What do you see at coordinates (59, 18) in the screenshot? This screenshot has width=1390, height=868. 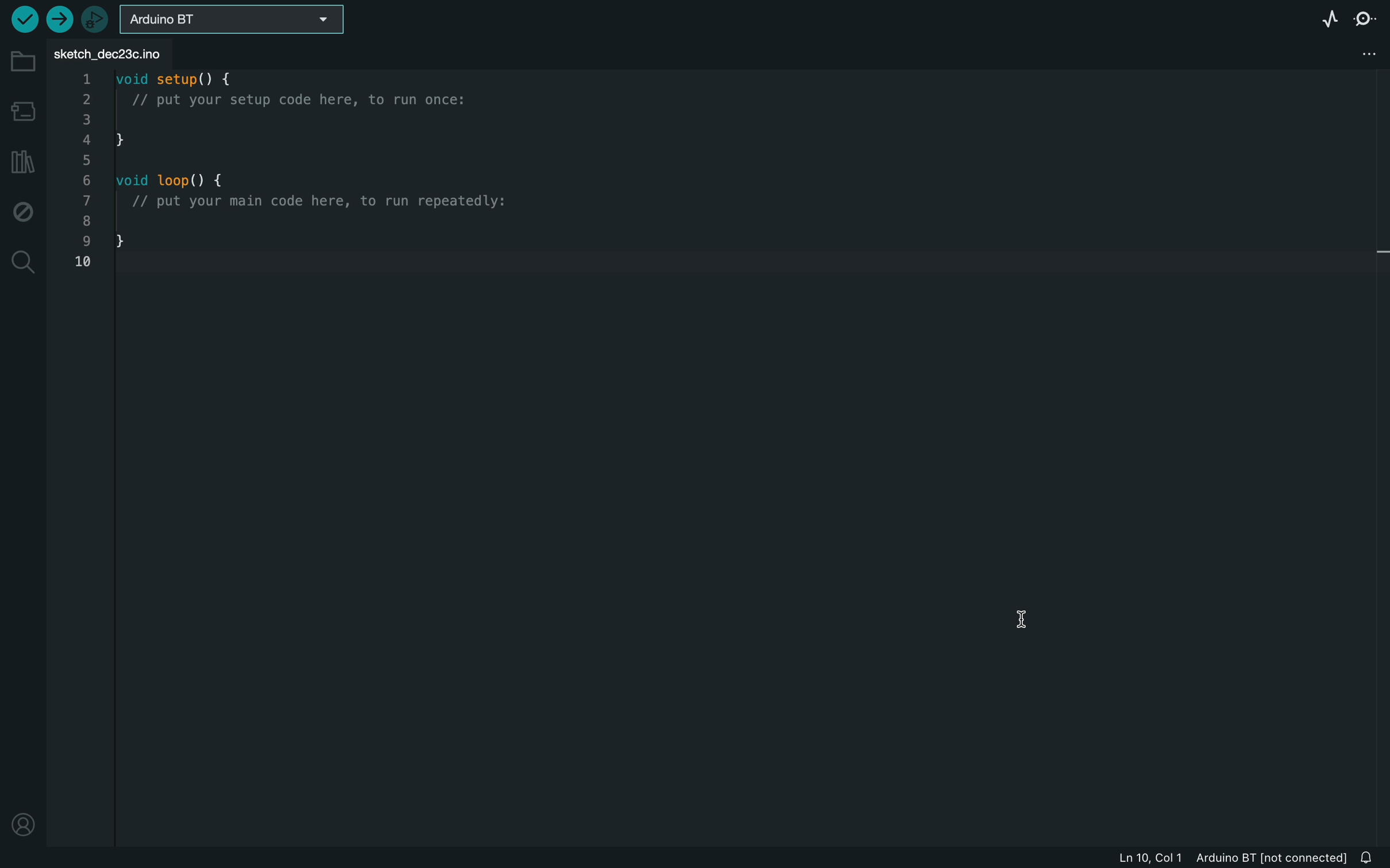 I see `upload` at bounding box center [59, 18].